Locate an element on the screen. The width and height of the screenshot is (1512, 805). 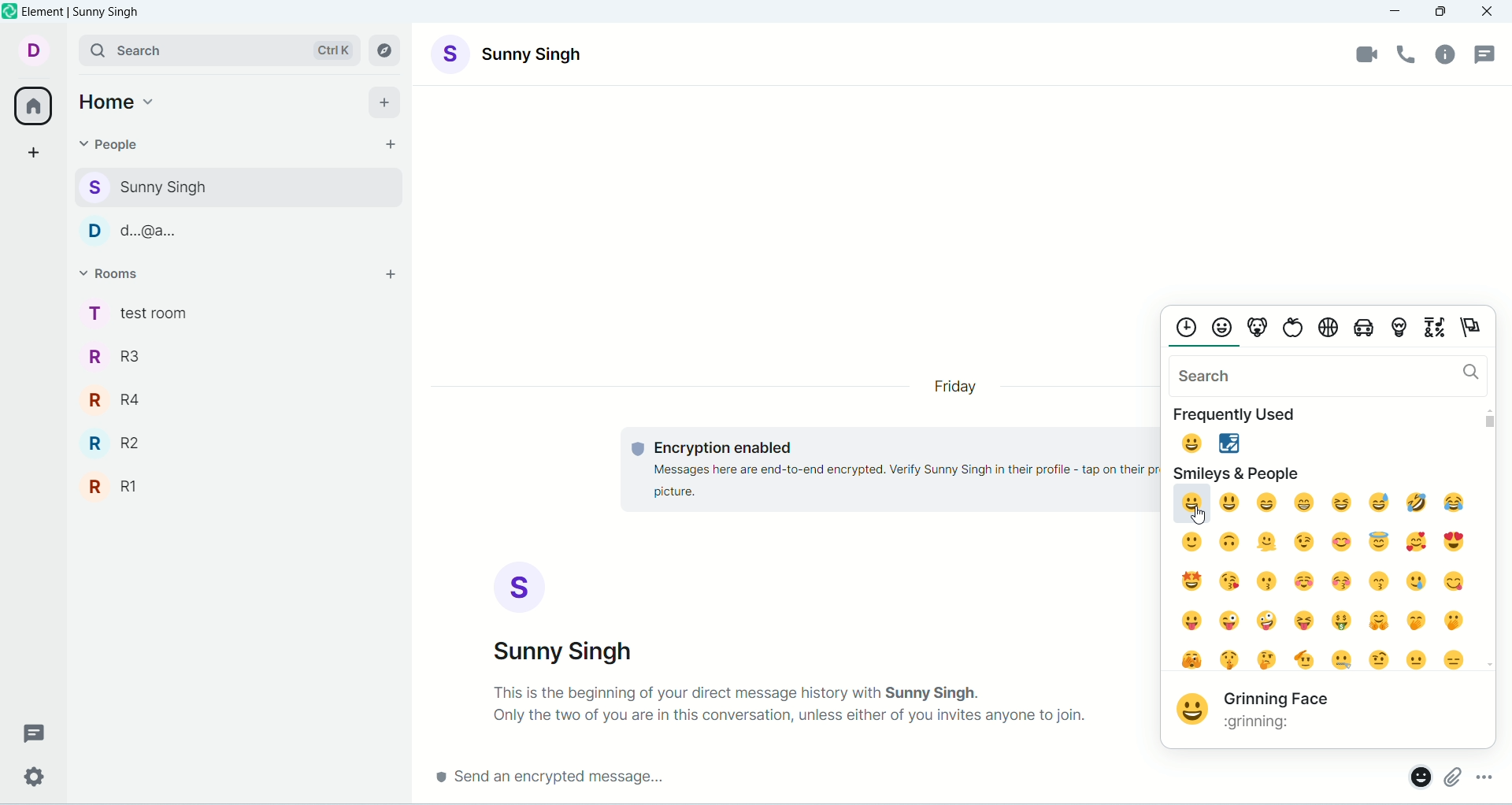
scroll up is located at coordinates (1488, 408).